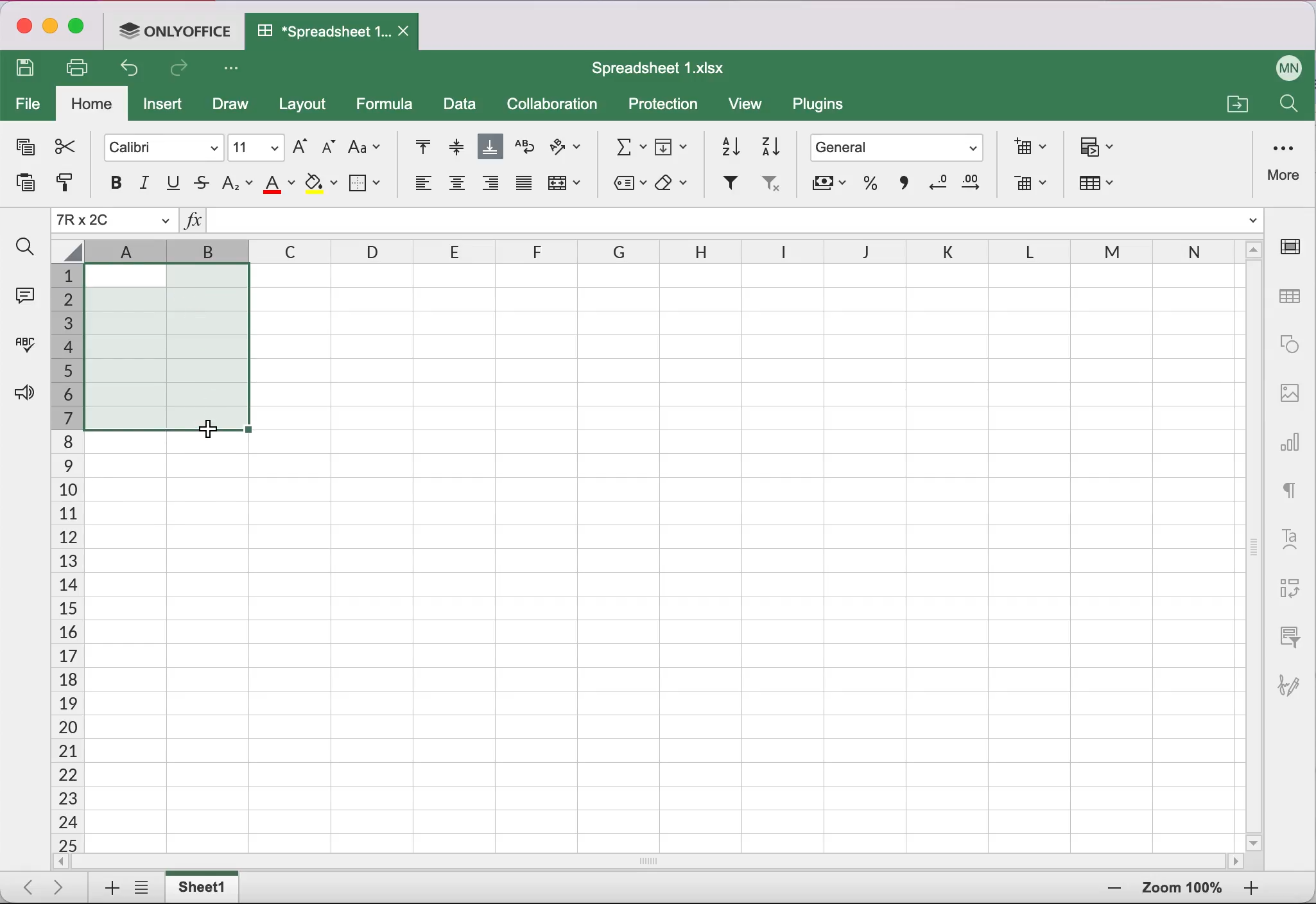 Image resolution: width=1316 pixels, height=904 pixels. What do you see at coordinates (1235, 102) in the screenshot?
I see `open file location` at bounding box center [1235, 102].